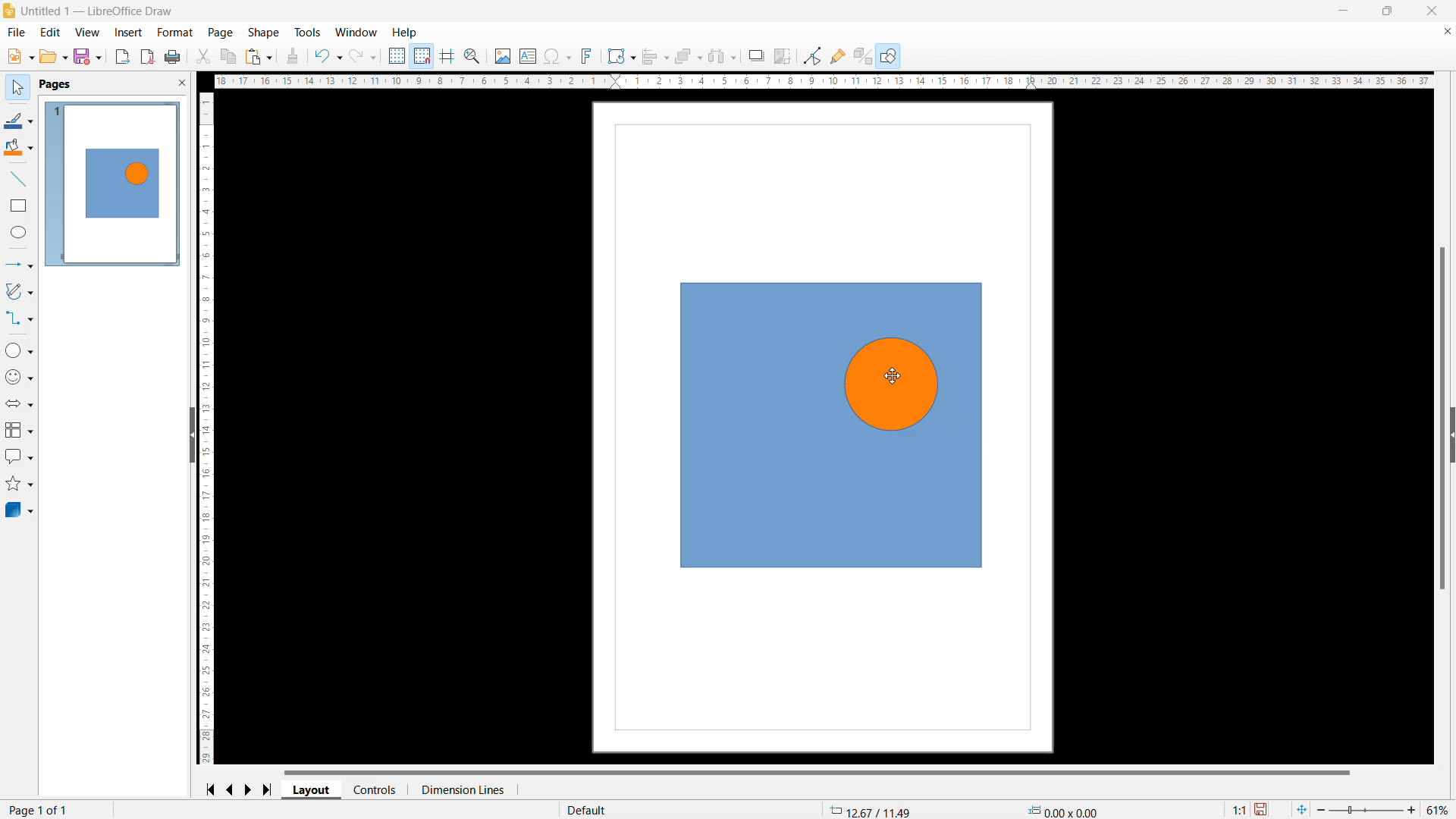 This screenshot has height=819, width=1456. Describe the element at coordinates (128, 33) in the screenshot. I see `insert` at that location.